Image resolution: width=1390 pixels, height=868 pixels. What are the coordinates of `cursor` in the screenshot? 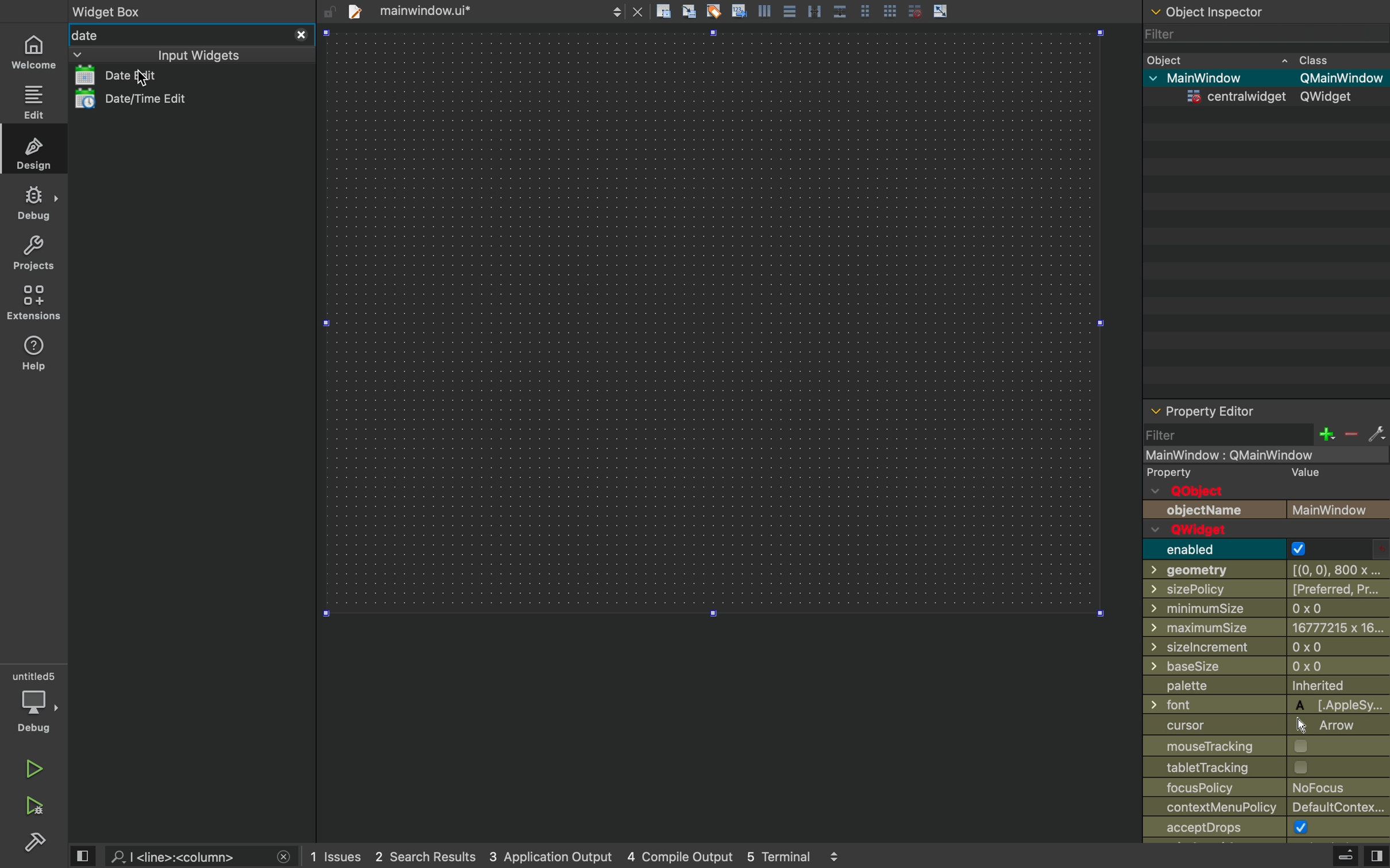 It's located at (1258, 727).